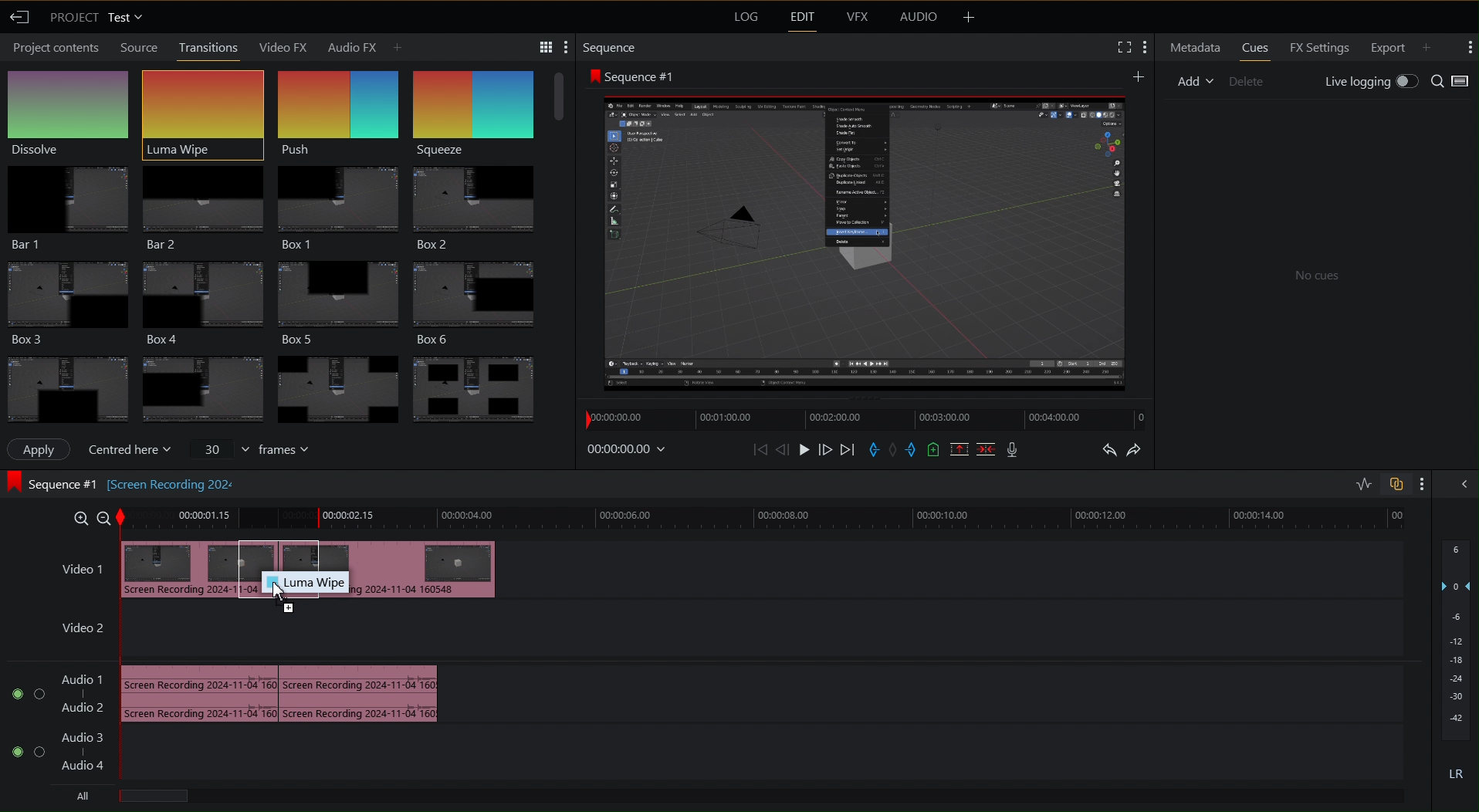  What do you see at coordinates (1377, 484) in the screenshot?
I see `Toggles` at bounding box center [1377, 484].